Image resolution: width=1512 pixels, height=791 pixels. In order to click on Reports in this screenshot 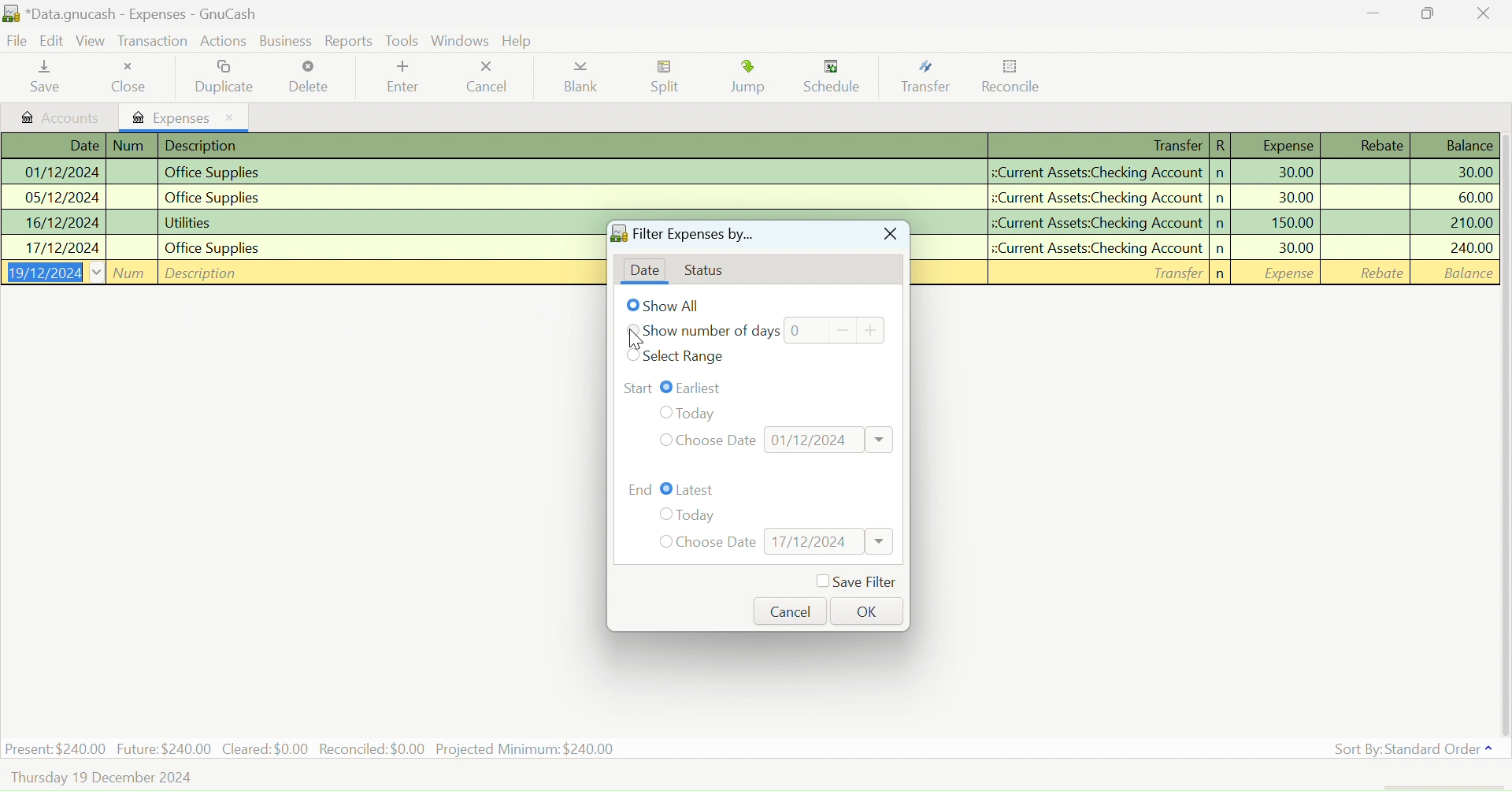, I will do `click(350, 41)`.